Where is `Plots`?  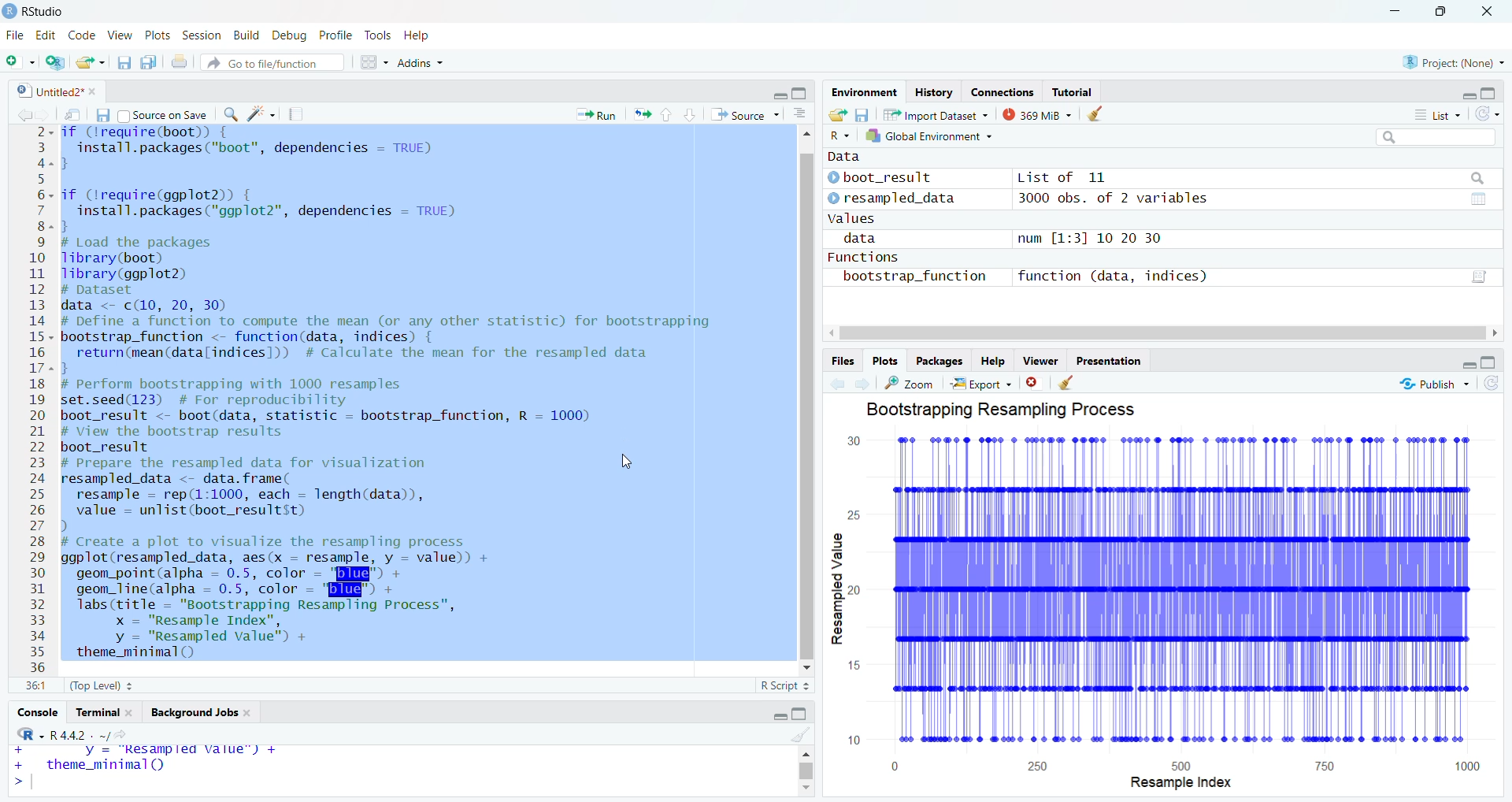
Plots is located at coordinates (155, 35).